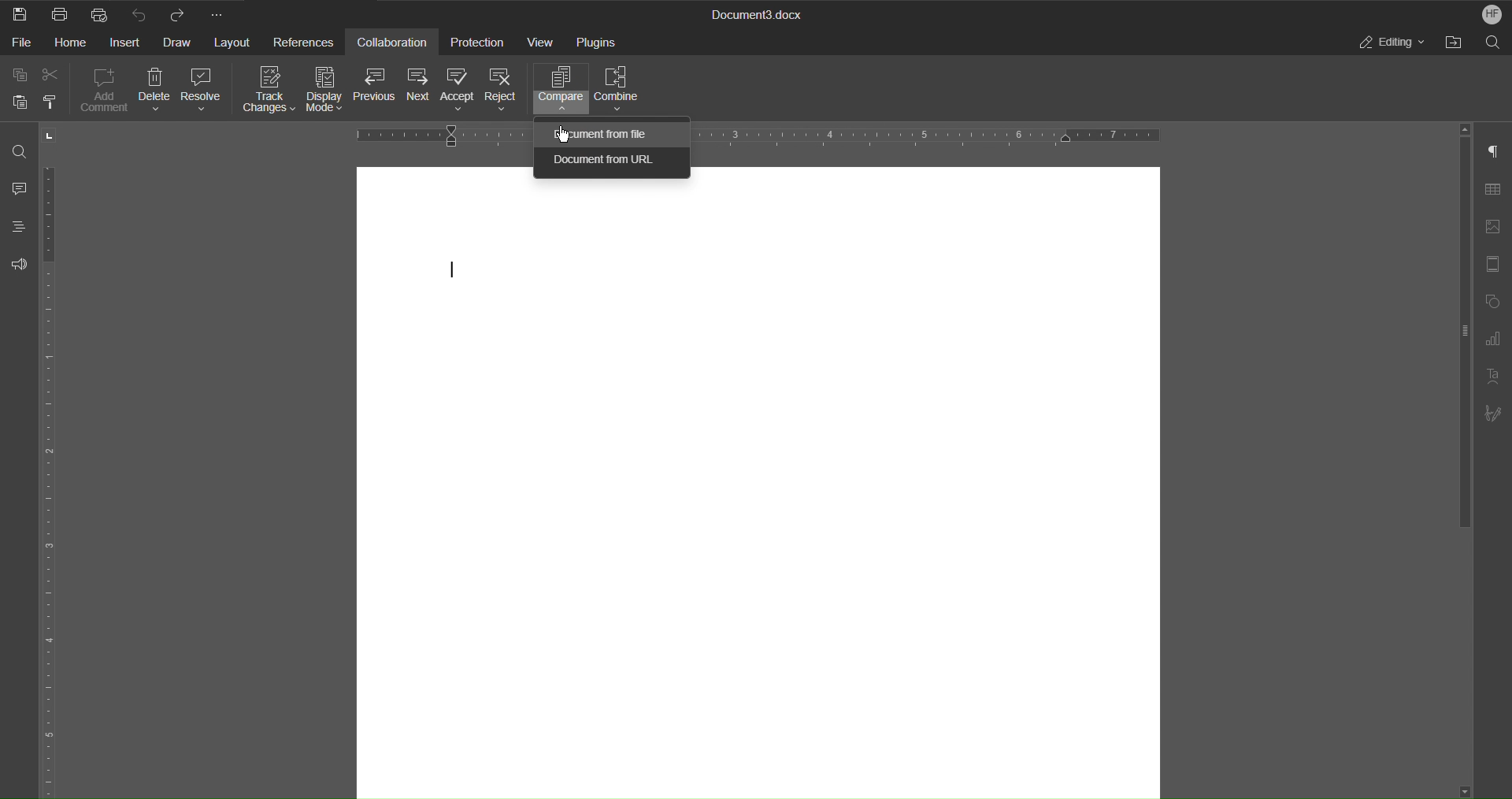 This screenshot has height=799, width=1512. Describe the element at coordinates (452, 270) in the screenshot. I see `Typing cursor` at that location.